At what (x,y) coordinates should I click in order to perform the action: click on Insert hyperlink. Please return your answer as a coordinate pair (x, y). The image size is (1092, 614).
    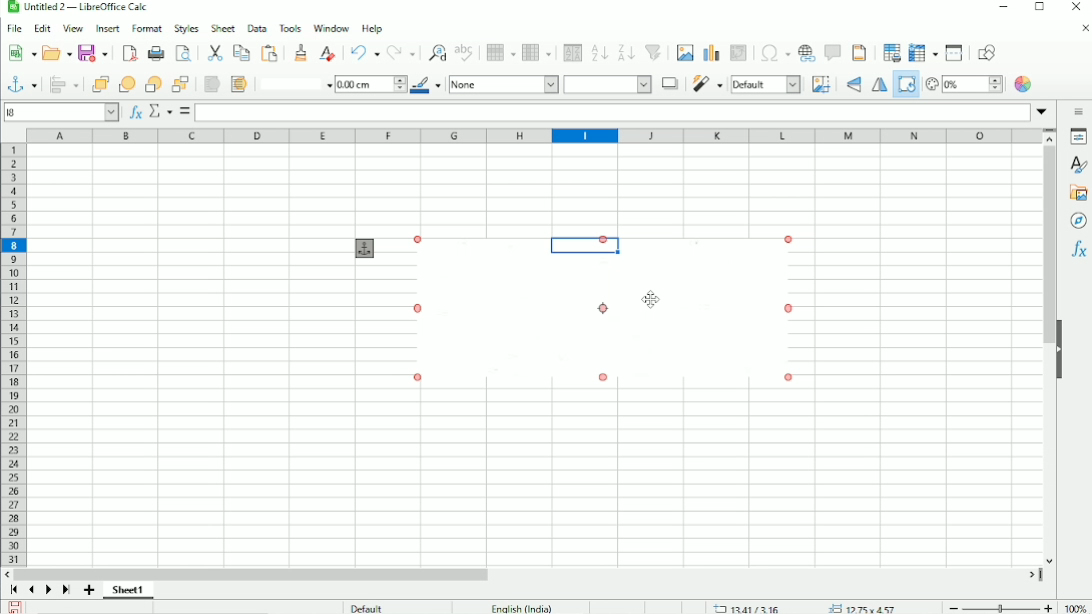
    Looking at the image, I should click on (806, 53).